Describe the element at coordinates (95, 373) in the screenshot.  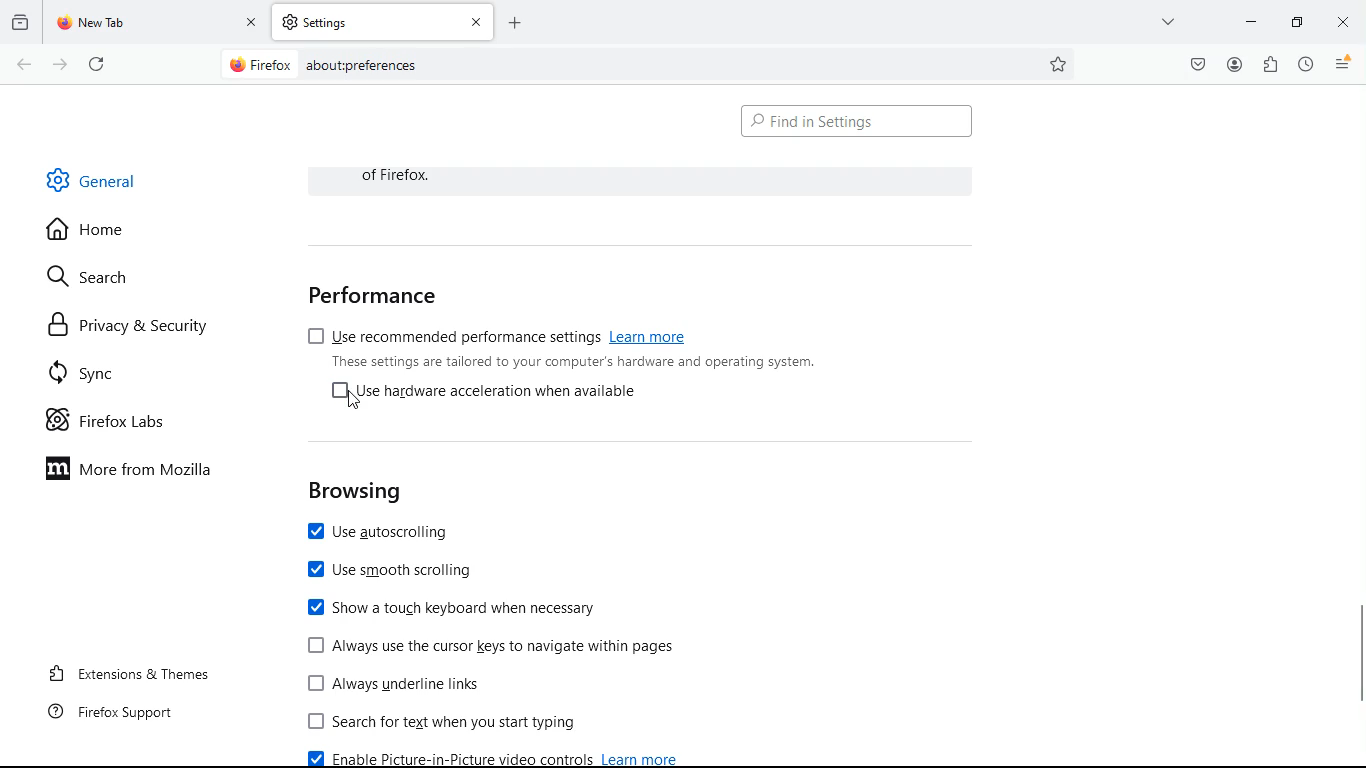
I see `sync` at that location.